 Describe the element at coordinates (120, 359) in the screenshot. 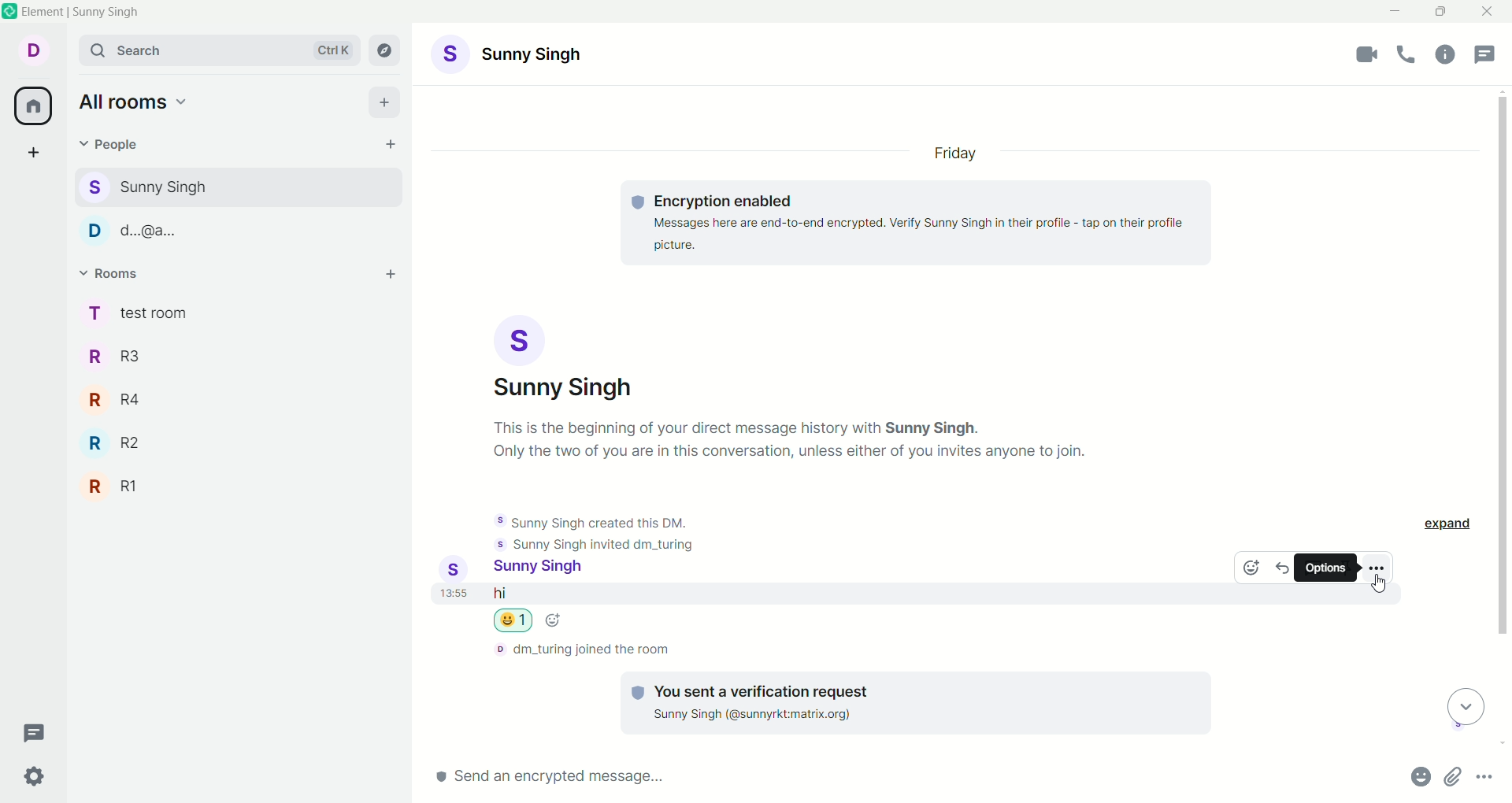

I see `R3` at that location.